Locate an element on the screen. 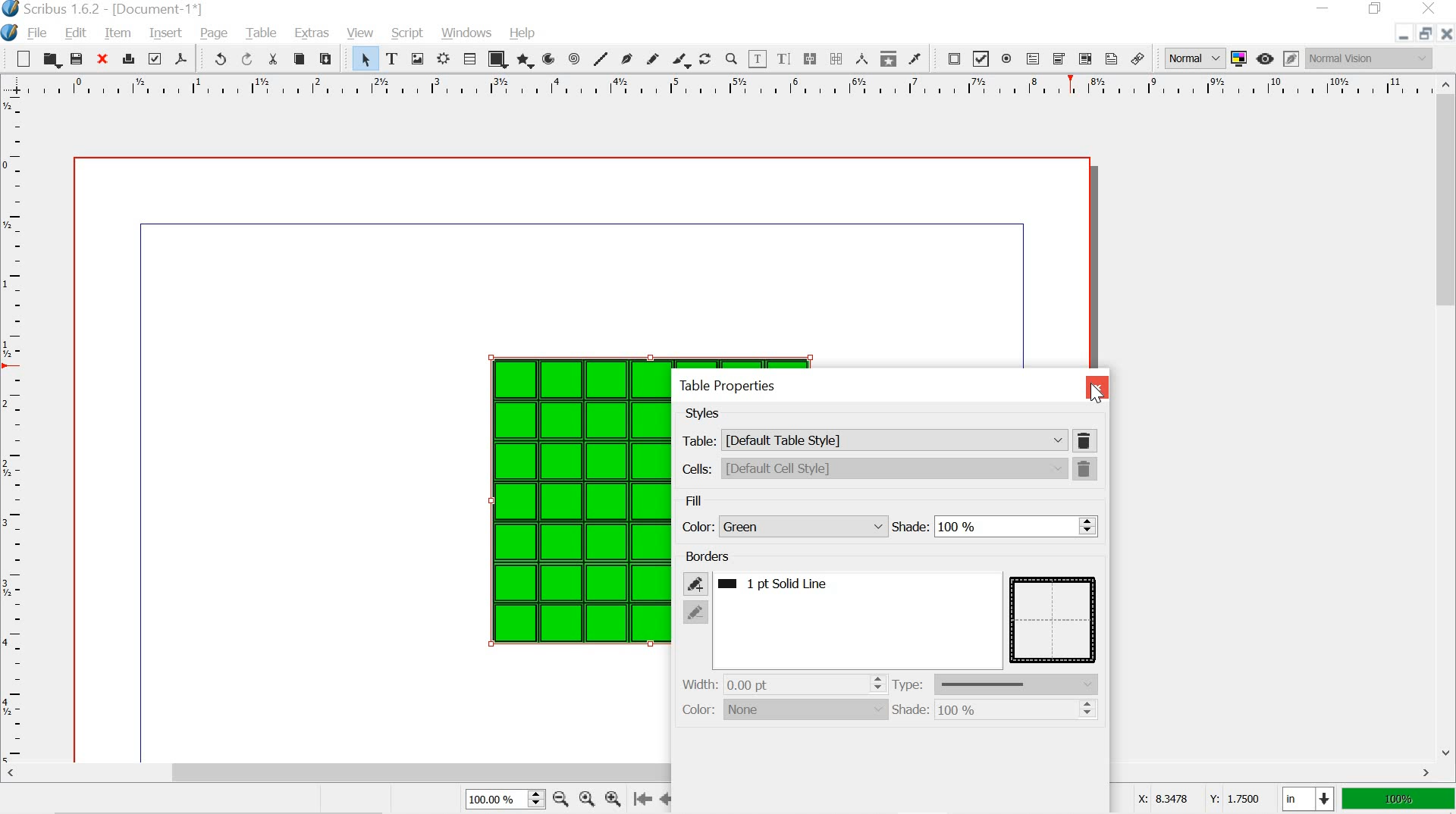  insert is located at coordinates (165, 31).